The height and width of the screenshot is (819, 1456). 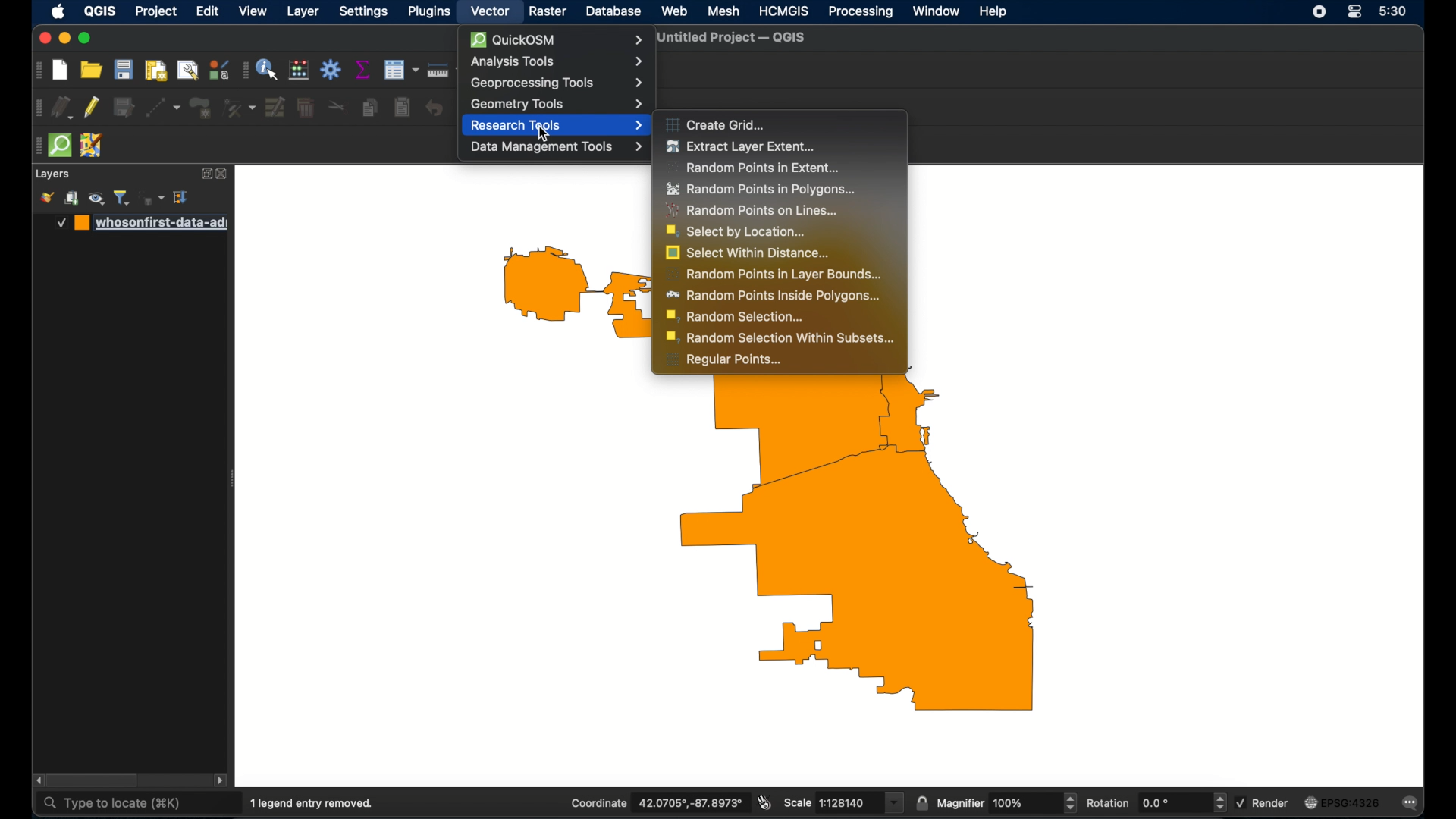 I want to click on open attribute table, so click(x=400, y=70).